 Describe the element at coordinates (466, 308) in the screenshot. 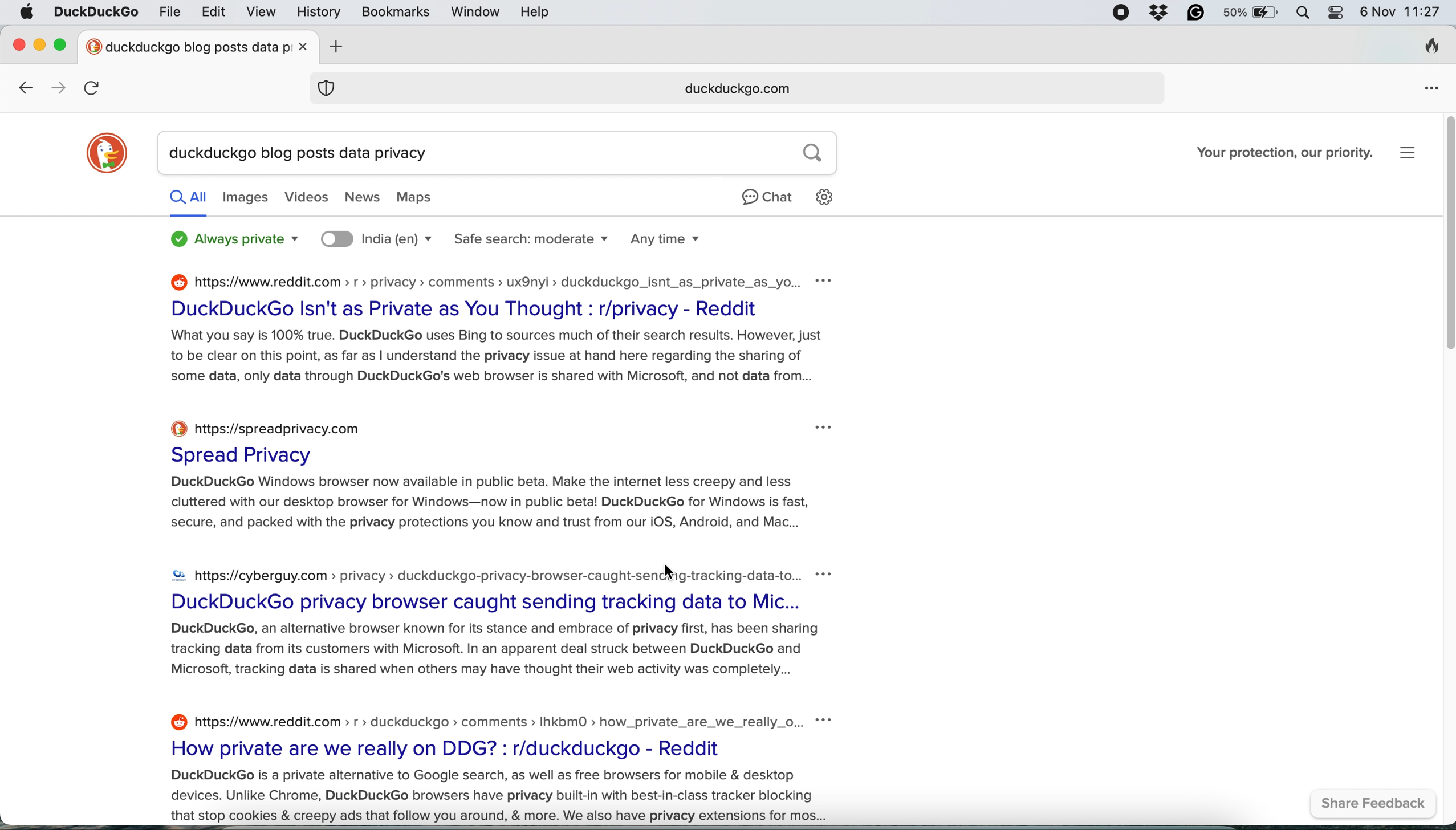

I see `DuckDuckGo Isn't as Private as You Thouaht : r/privacyv - Reddit` at that location.